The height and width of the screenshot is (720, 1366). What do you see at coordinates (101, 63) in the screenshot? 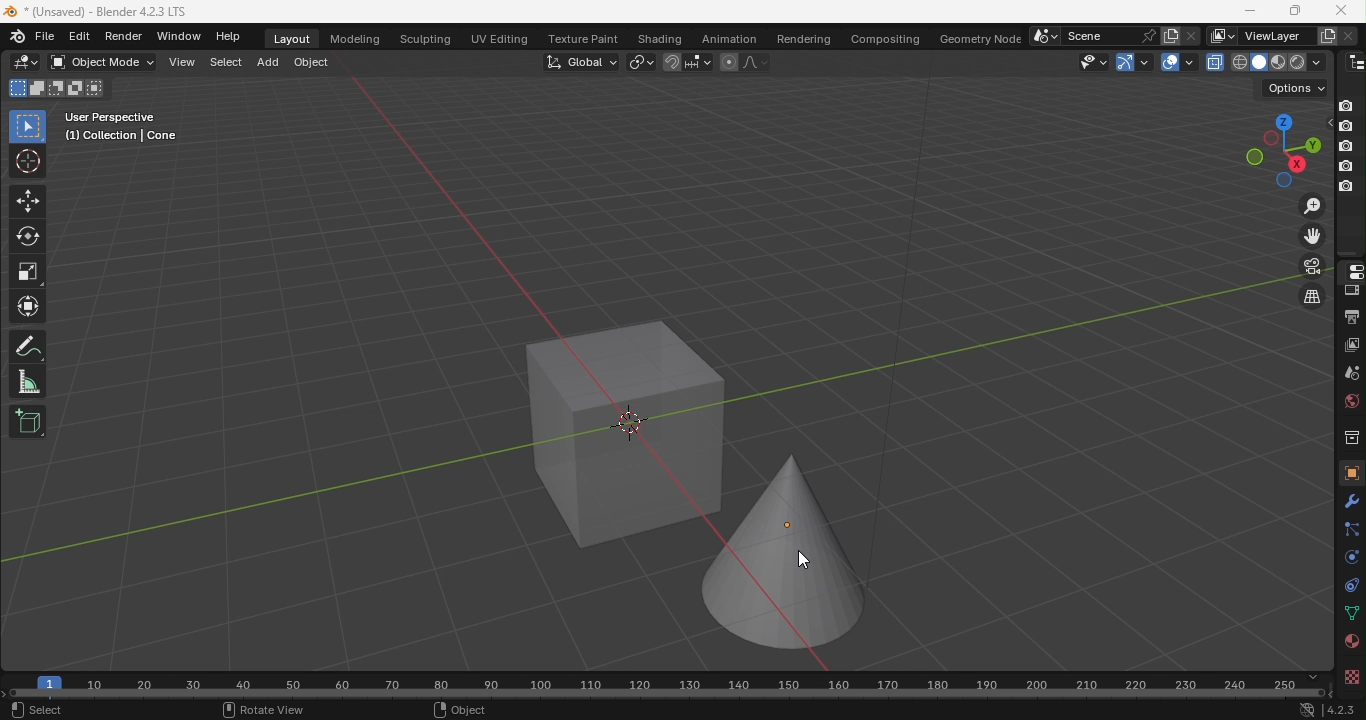
I see `Sets the objects interaction mode` at bounding box center [101, 63].